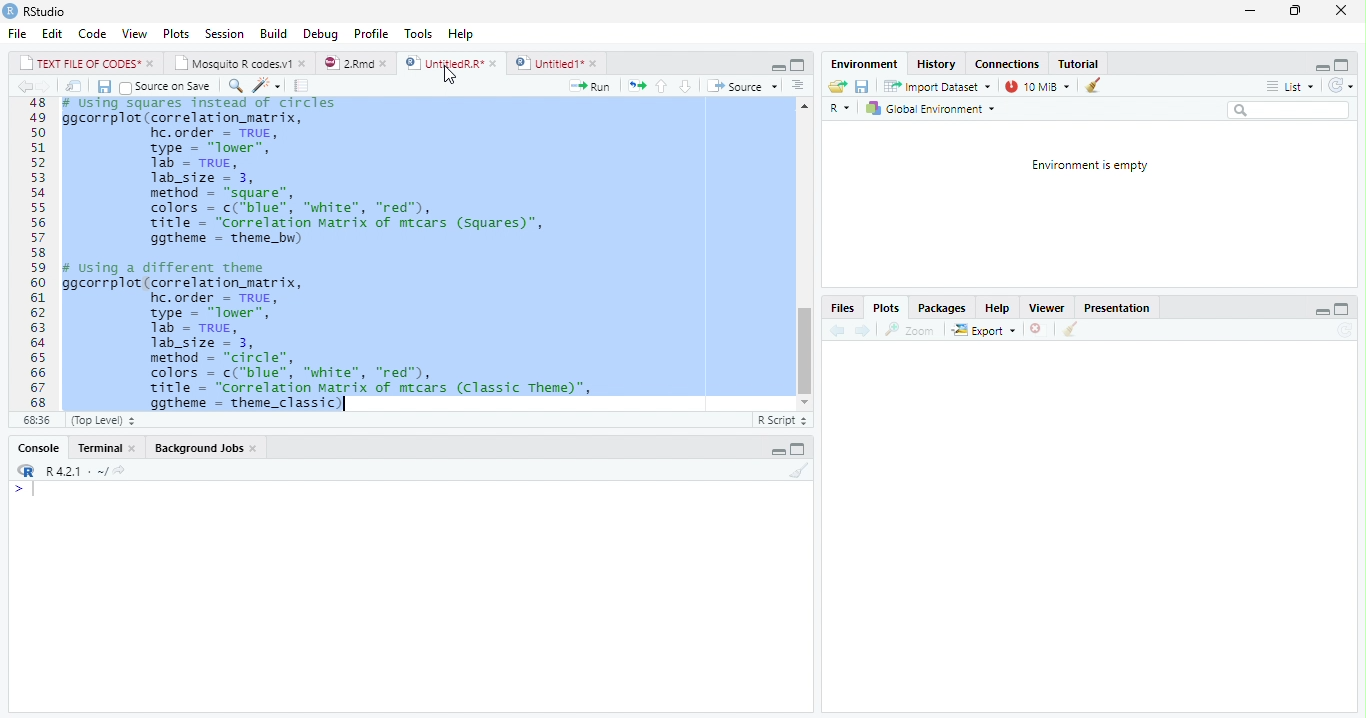 The width and height of the screenshot is (1366, 718). Describe the element at coordinates (1009, 64) in the screenshot. I see `connections` at that location.